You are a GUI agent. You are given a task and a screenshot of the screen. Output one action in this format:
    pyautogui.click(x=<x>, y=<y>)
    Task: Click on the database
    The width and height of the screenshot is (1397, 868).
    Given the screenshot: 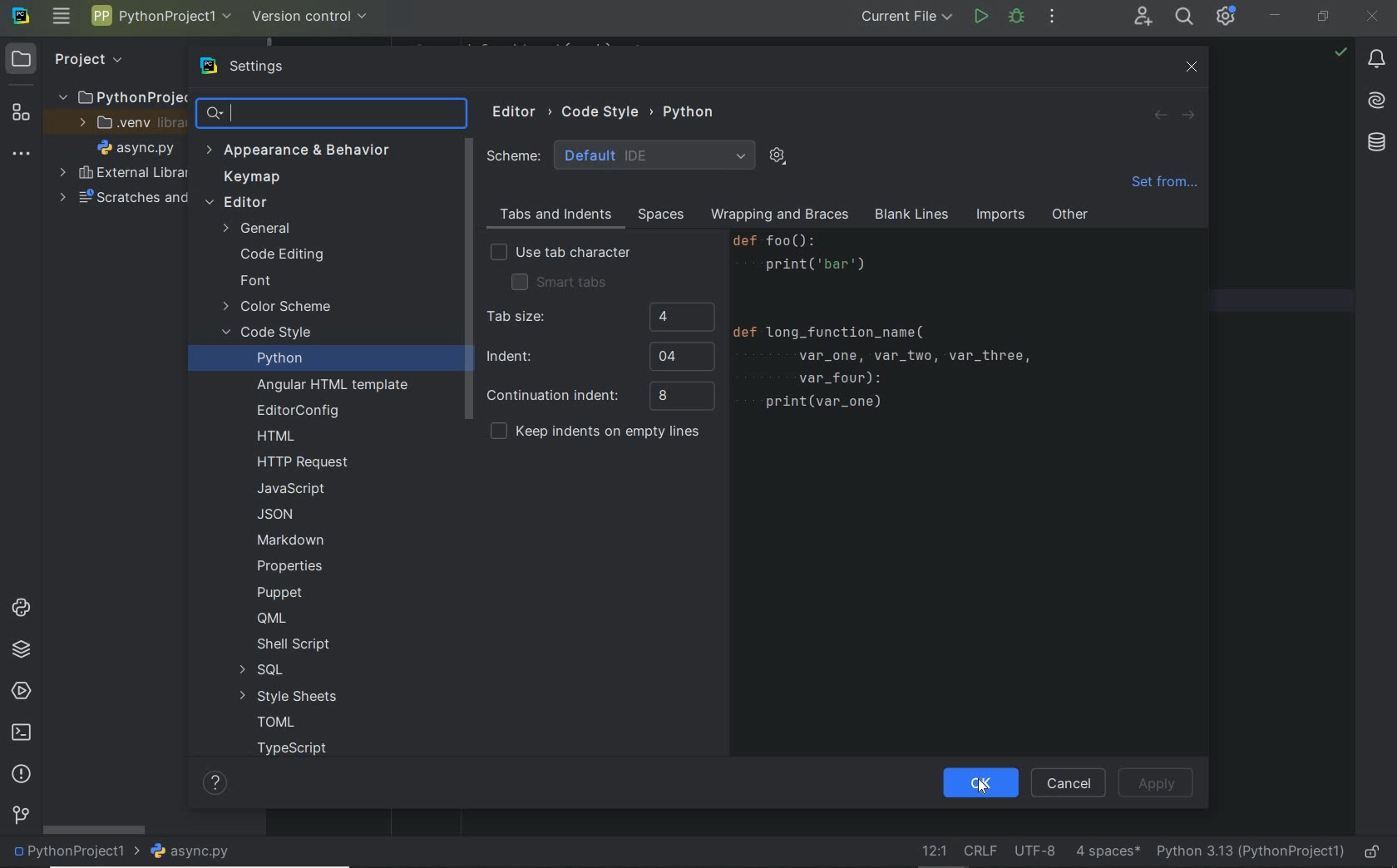 What is the action you would take?
    pyautogui.click(x=1374, y=145)
    